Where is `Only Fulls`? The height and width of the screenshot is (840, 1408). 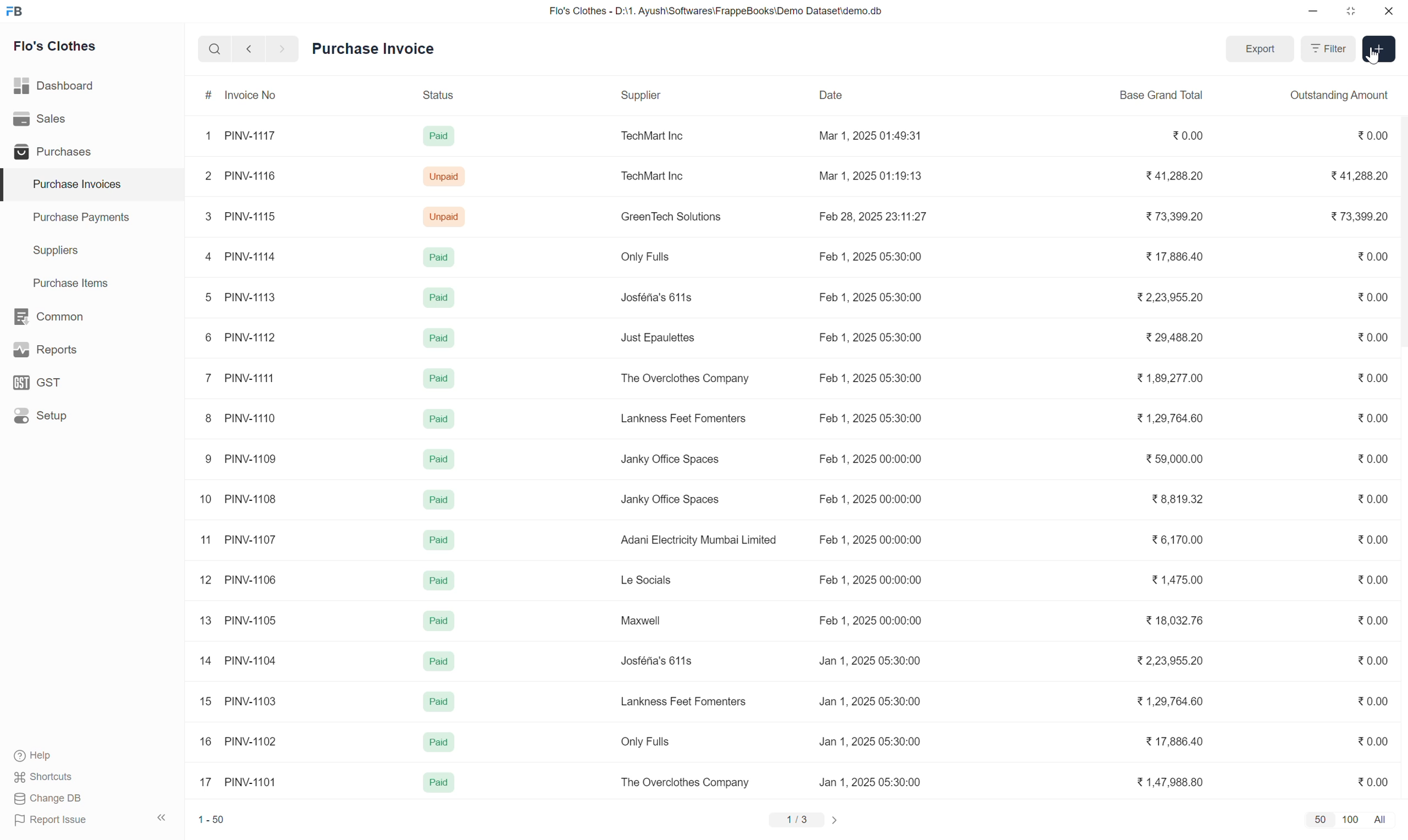 Only Fulls is located at coordinates (645, 257).